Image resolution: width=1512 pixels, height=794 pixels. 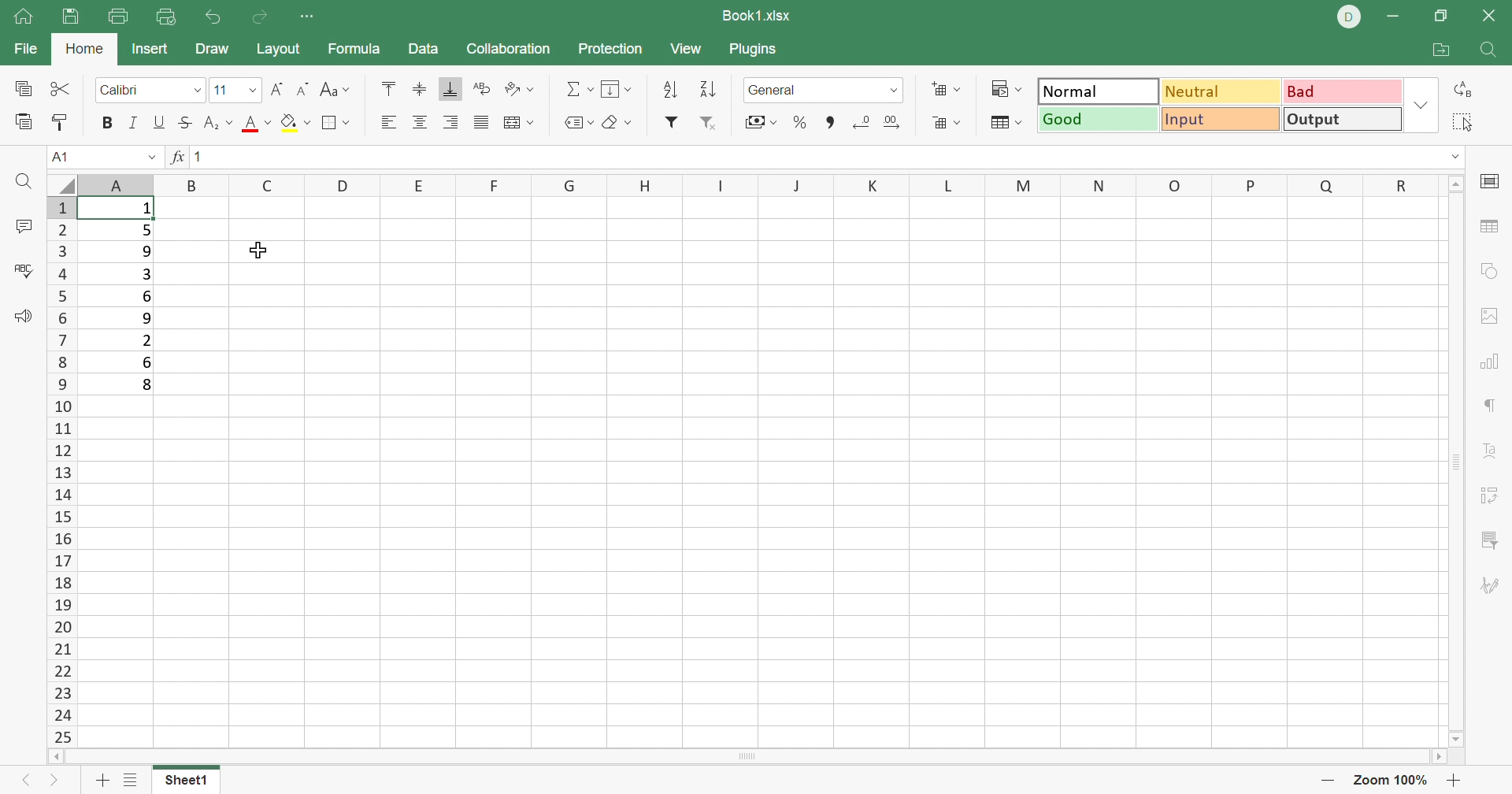 I want to click on A1, so click(x=64, y=159).